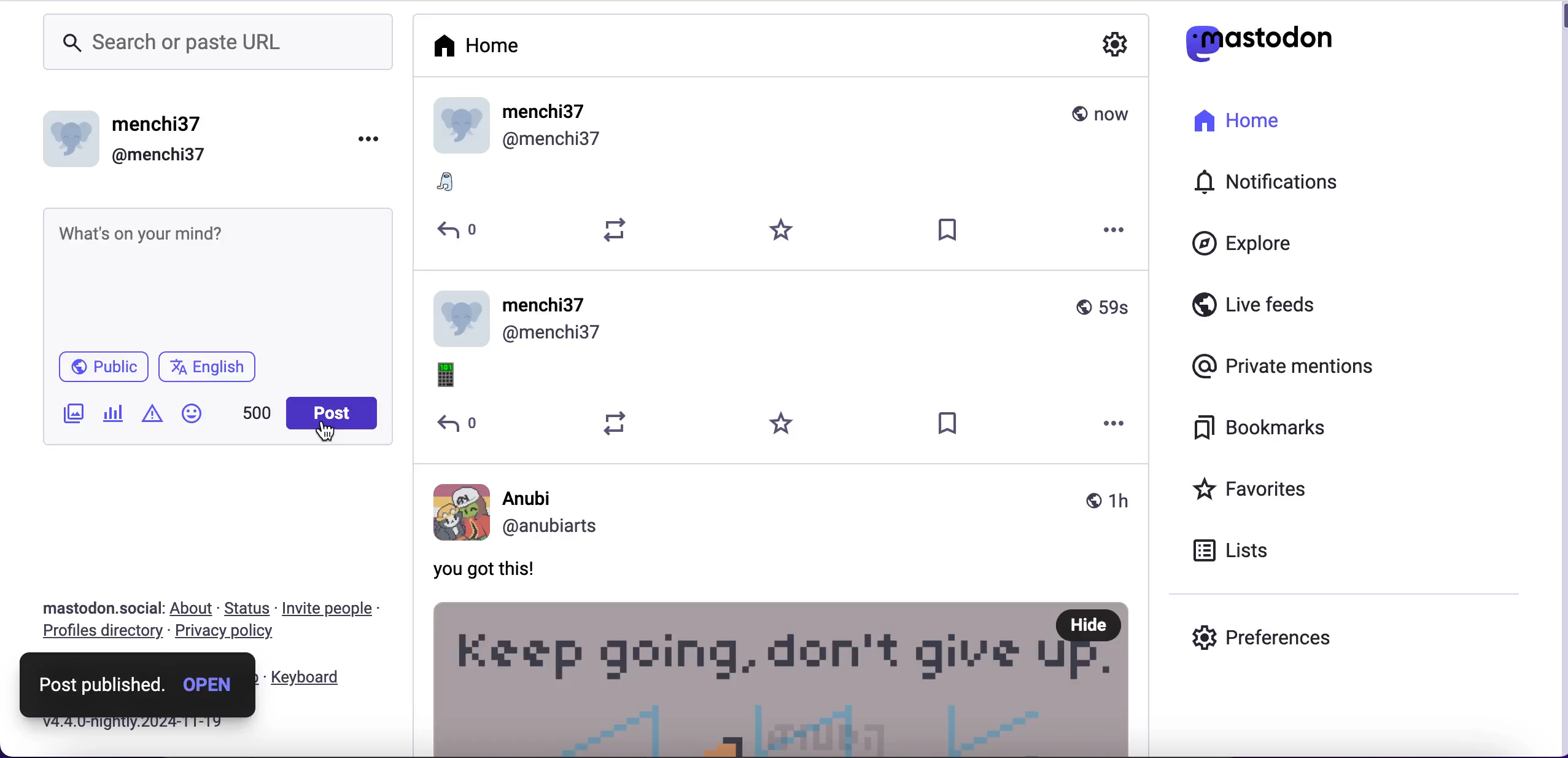  Describe the element at coordinates (1264, 430) in the screenshot. I see `bookmarks` at that location.